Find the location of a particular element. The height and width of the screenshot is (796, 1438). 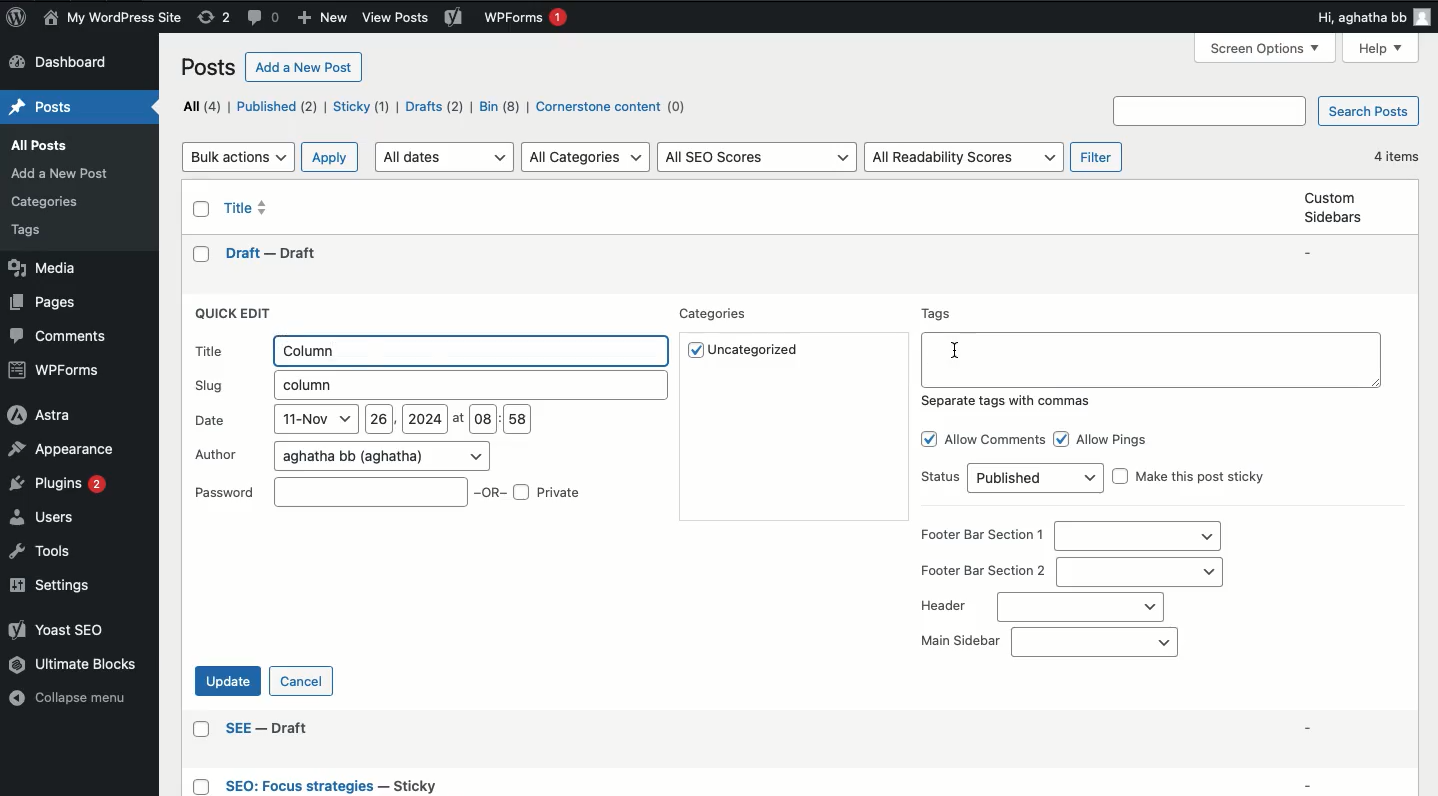

Plugins is located at coordinates (59, 488).